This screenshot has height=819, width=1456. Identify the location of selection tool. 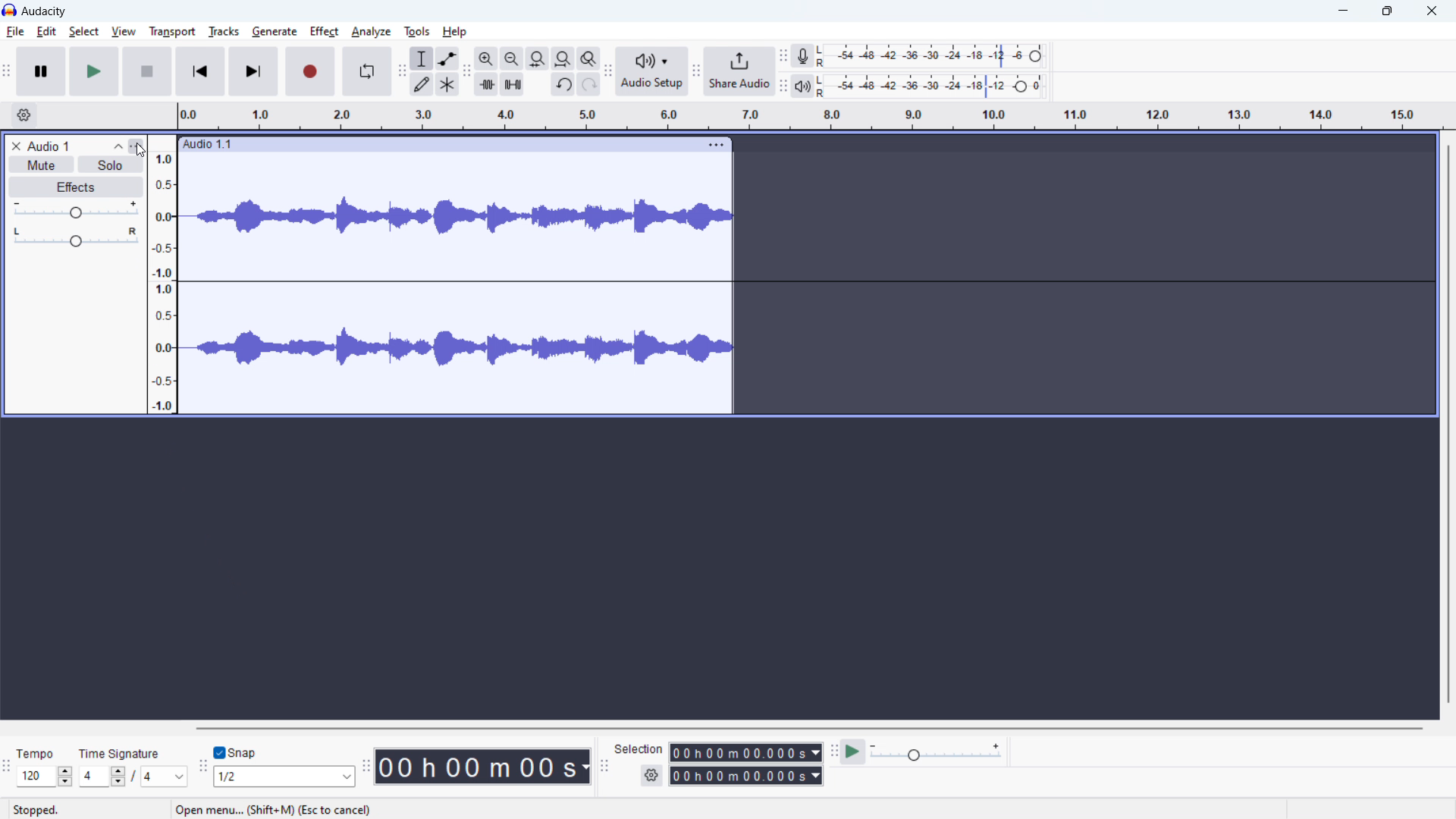
(422, 58).